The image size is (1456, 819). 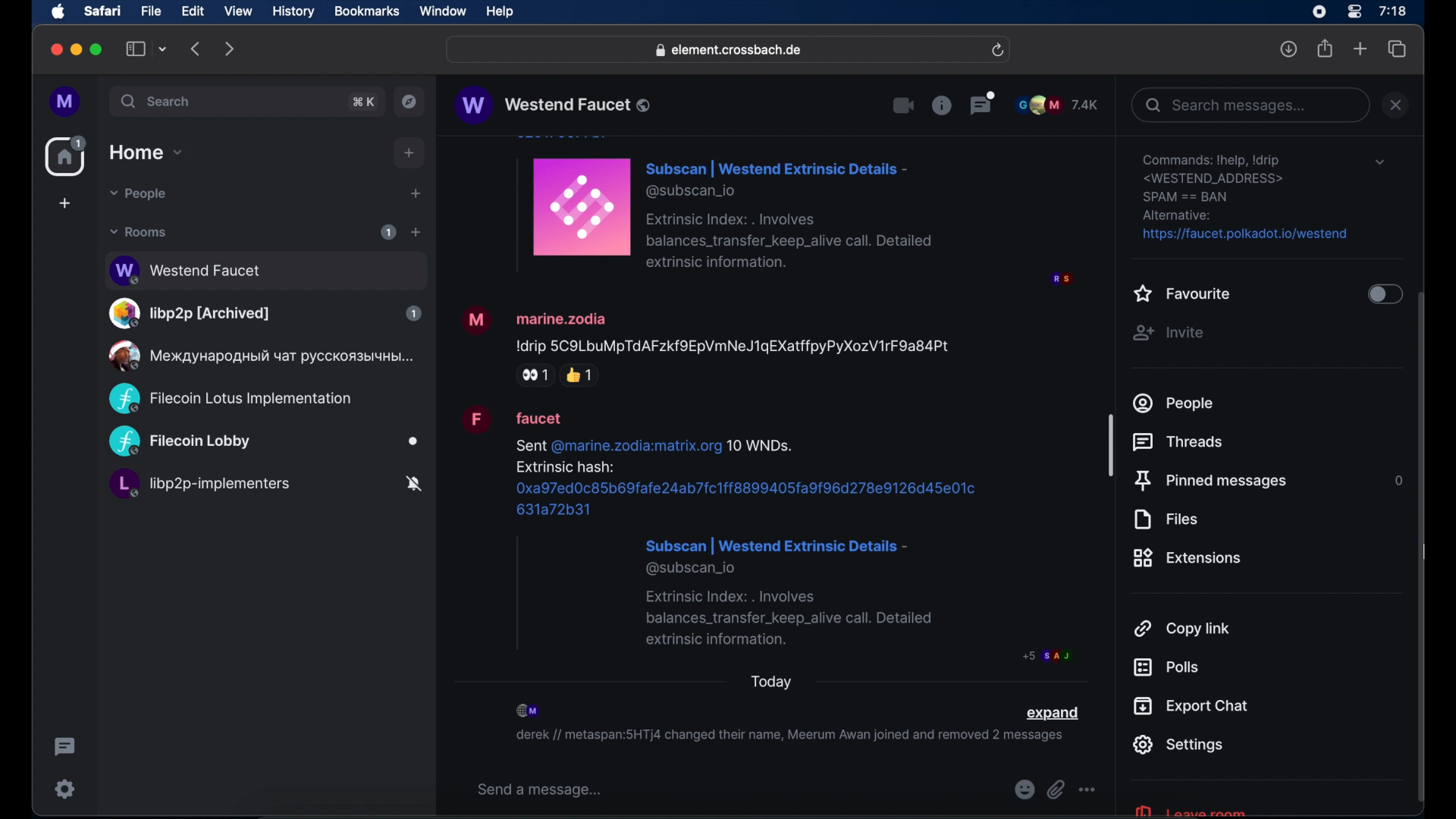 What do you see at coordinates (904, 106) in the screenshot?
I see `video call` at bounding box center [904, 106].